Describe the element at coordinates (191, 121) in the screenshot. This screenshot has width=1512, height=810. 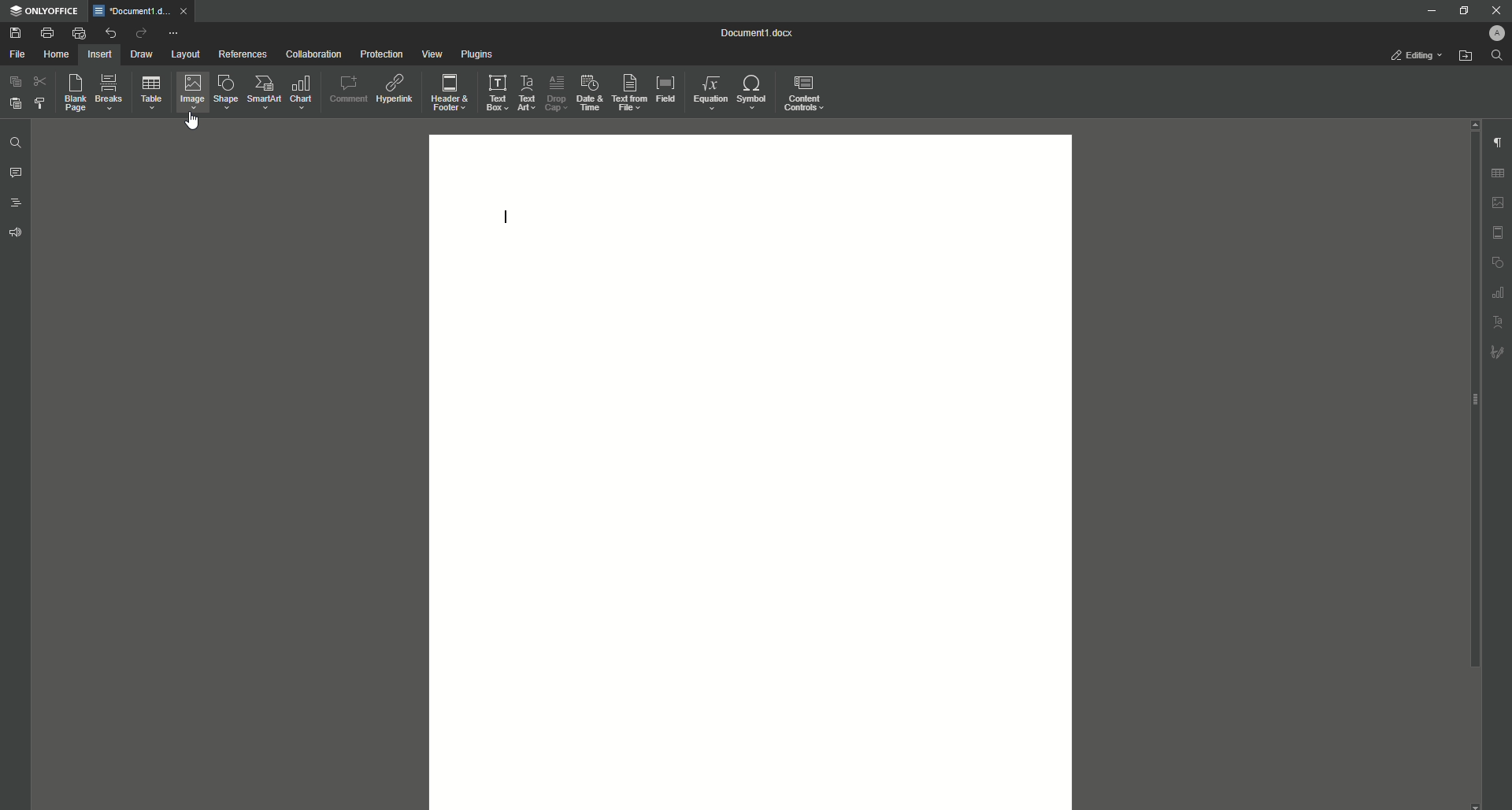
I see `Cursor` at that location.